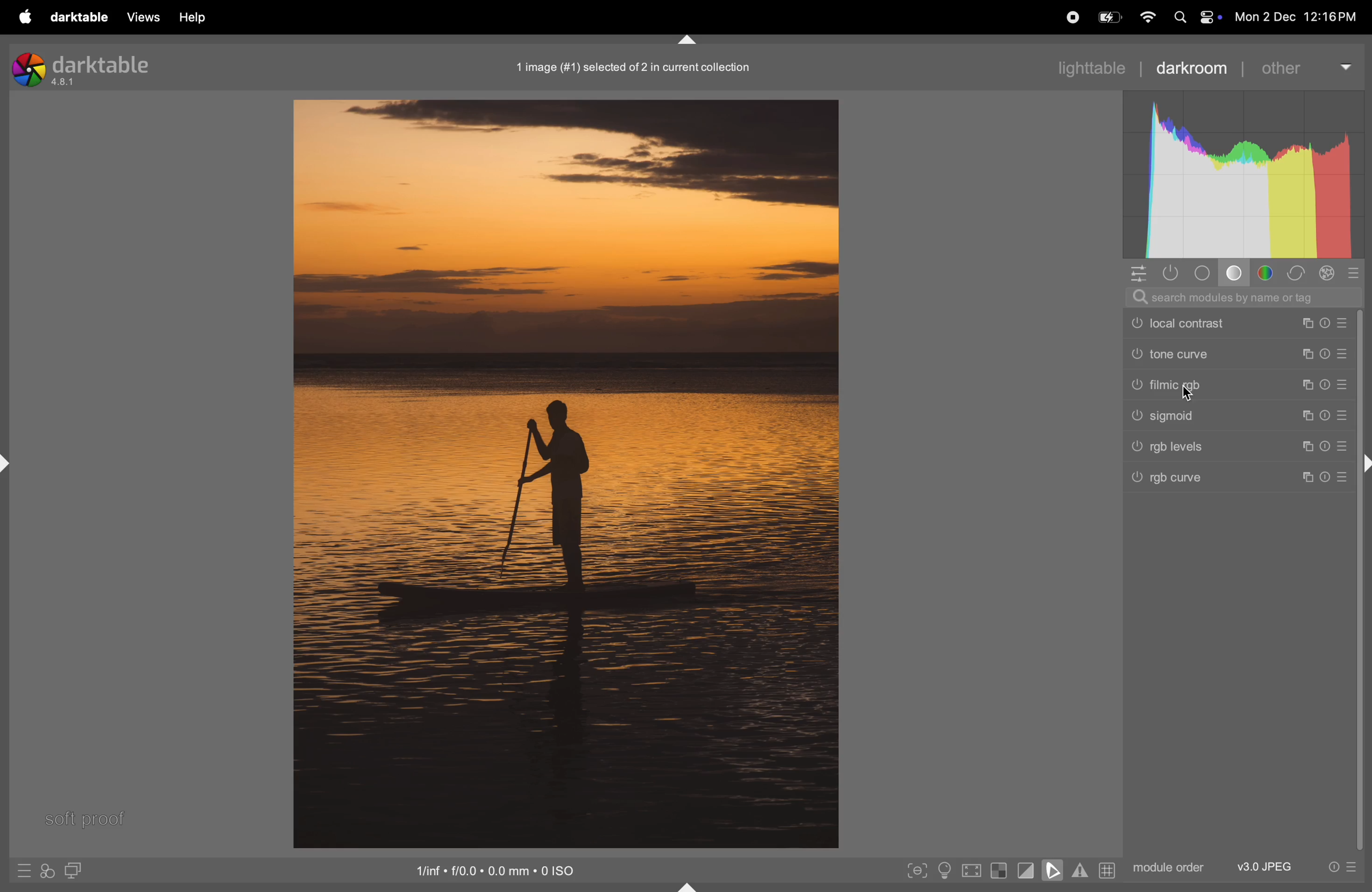 The height and width of the screenshot is (892, 1372). What do you see at coordinates (95, 66) in the screenshot?
I see `darktable version` at bounding box center [95, 66].